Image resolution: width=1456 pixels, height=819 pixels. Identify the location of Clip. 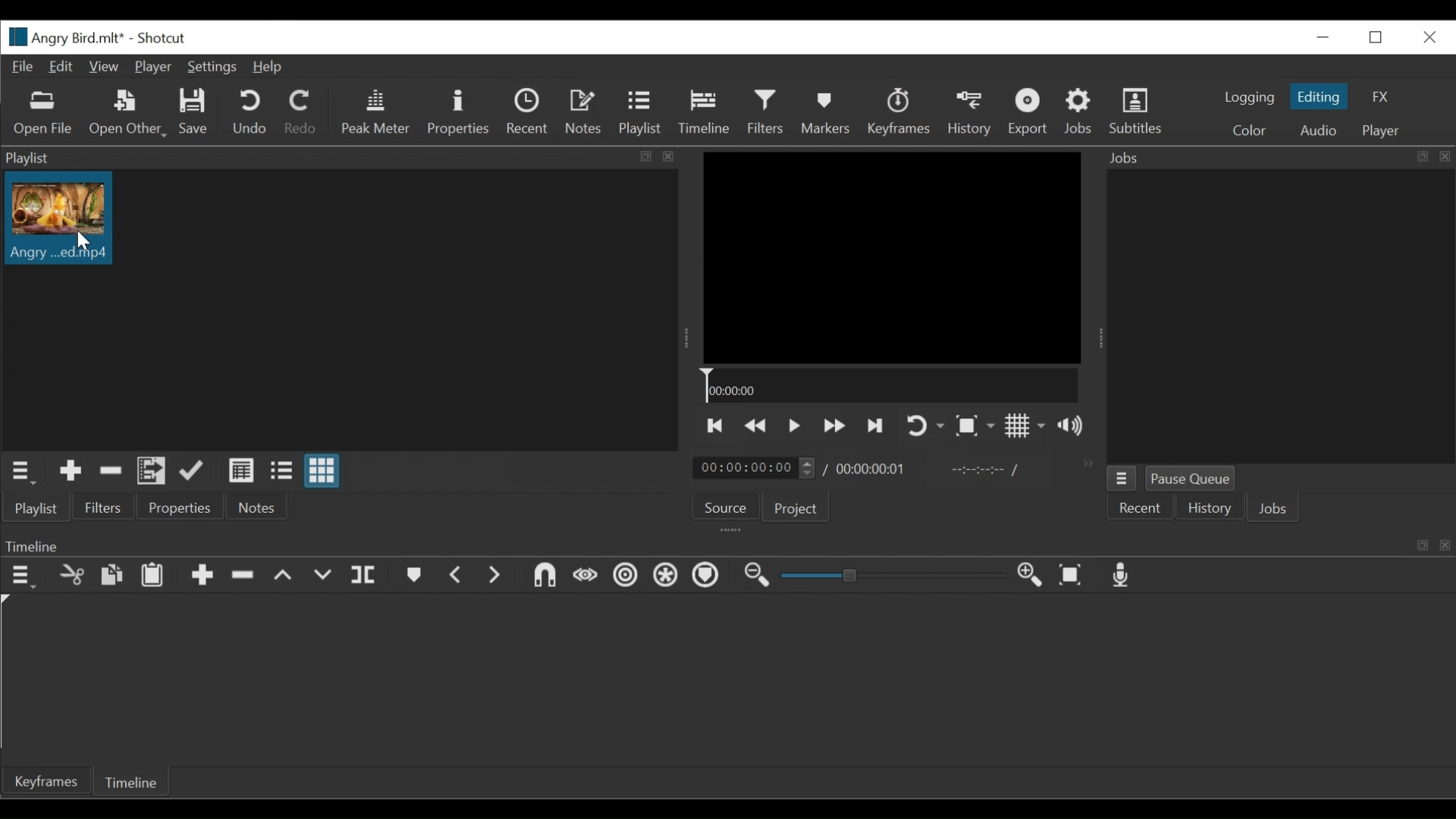
(58, 218).